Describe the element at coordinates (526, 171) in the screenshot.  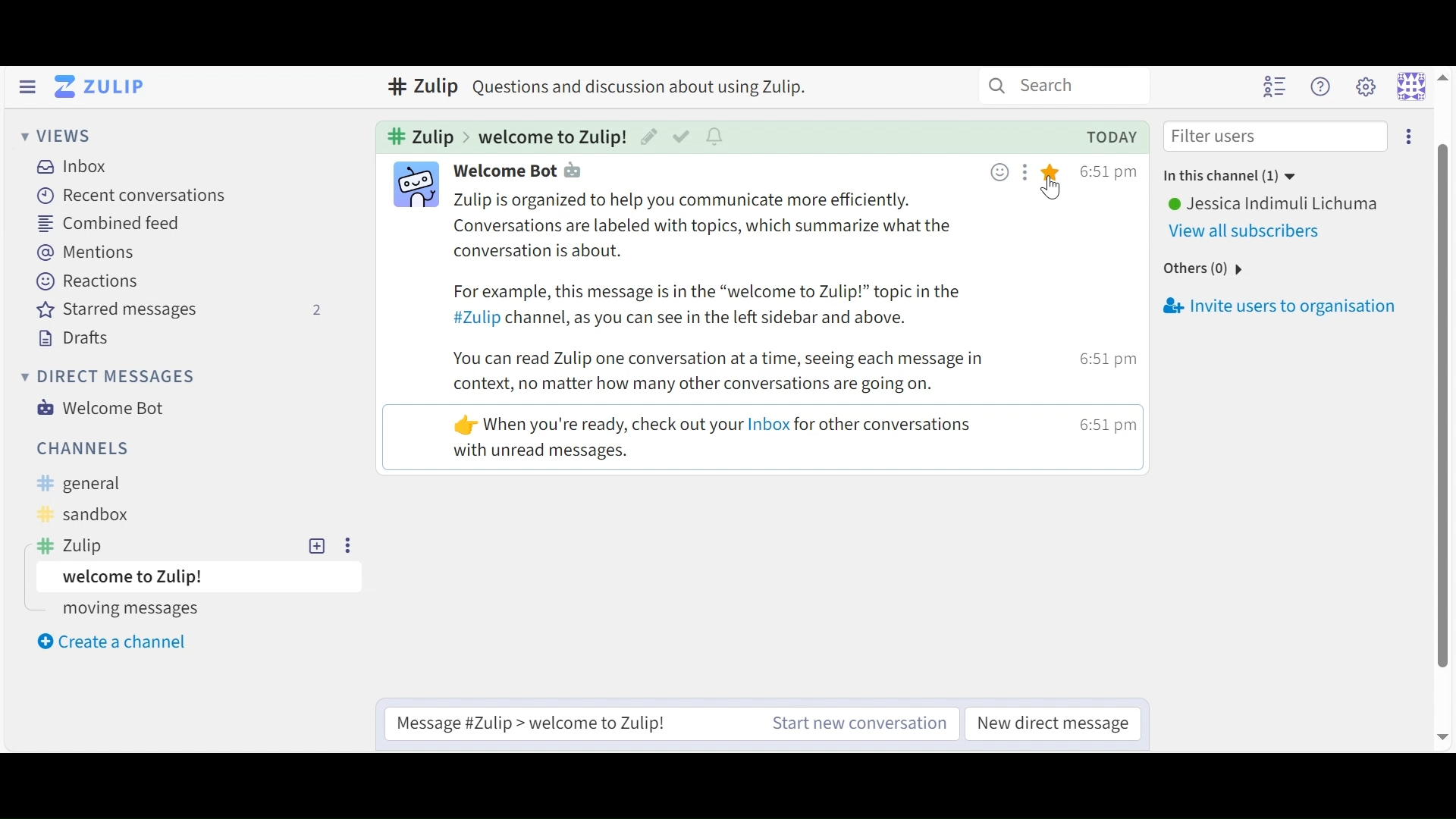
I see `Participant` at that location.